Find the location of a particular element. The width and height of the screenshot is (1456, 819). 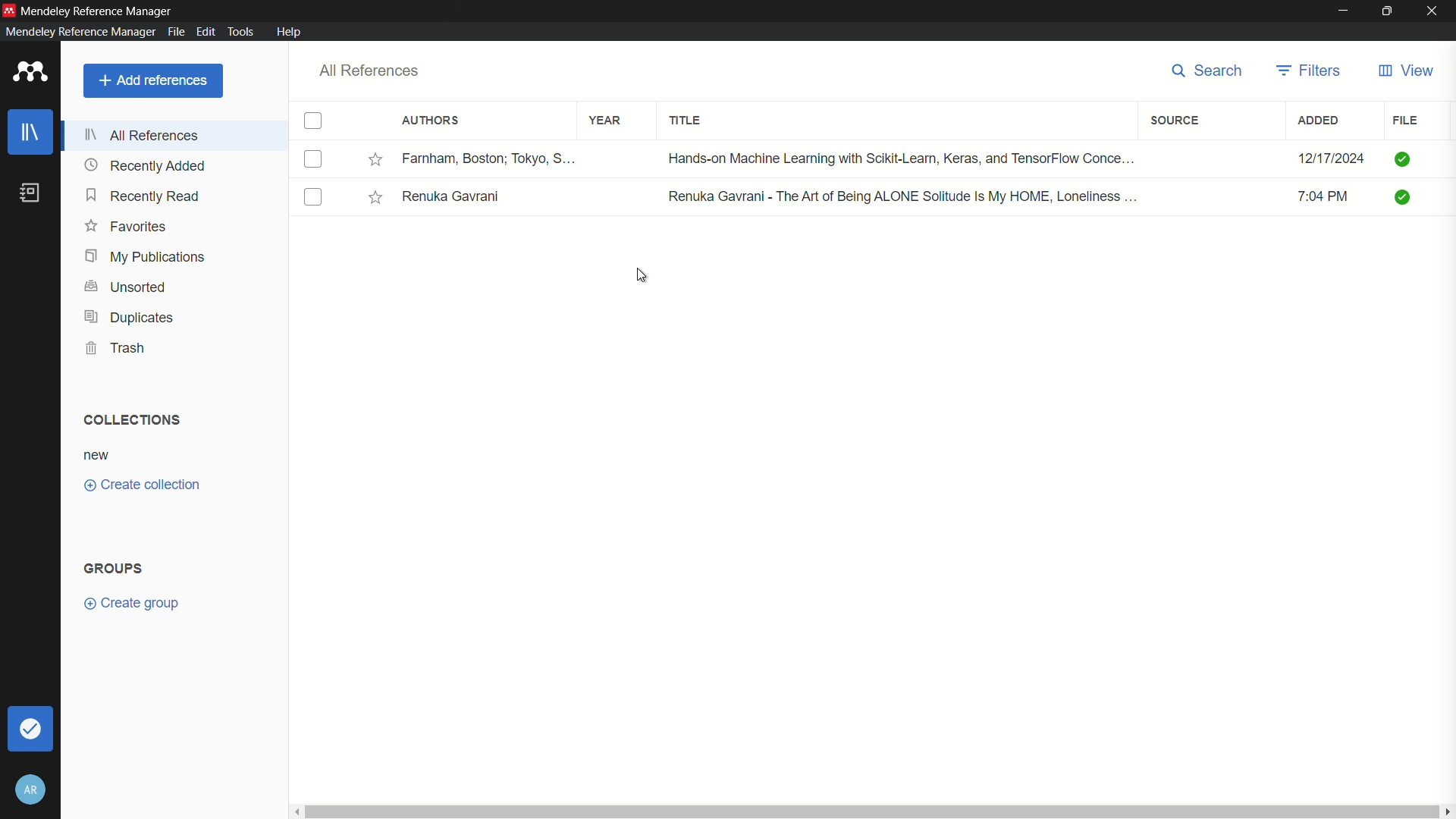

file is located at coordinates (1405, 121).